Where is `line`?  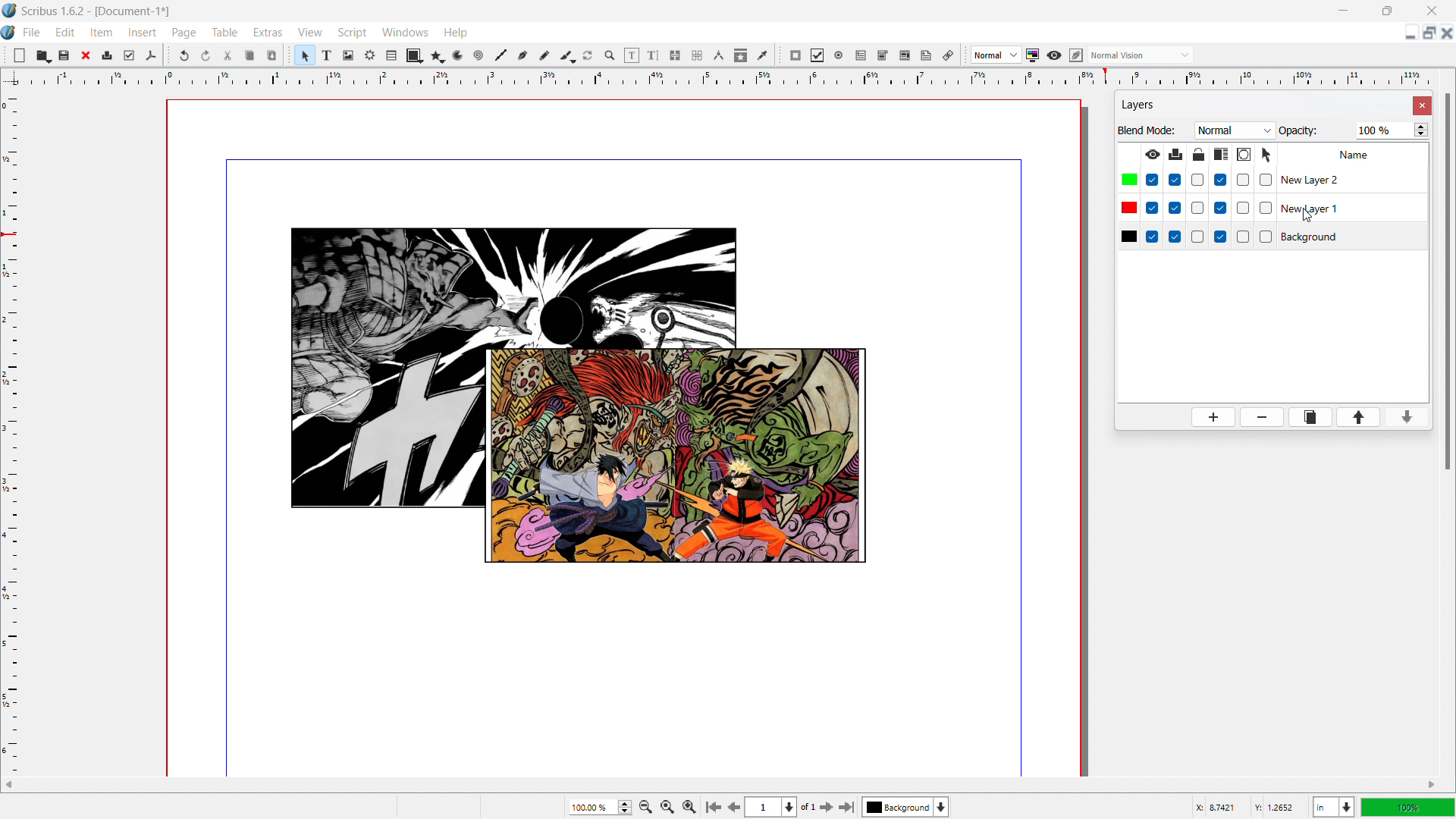
line is located at coordinates (480, 55).